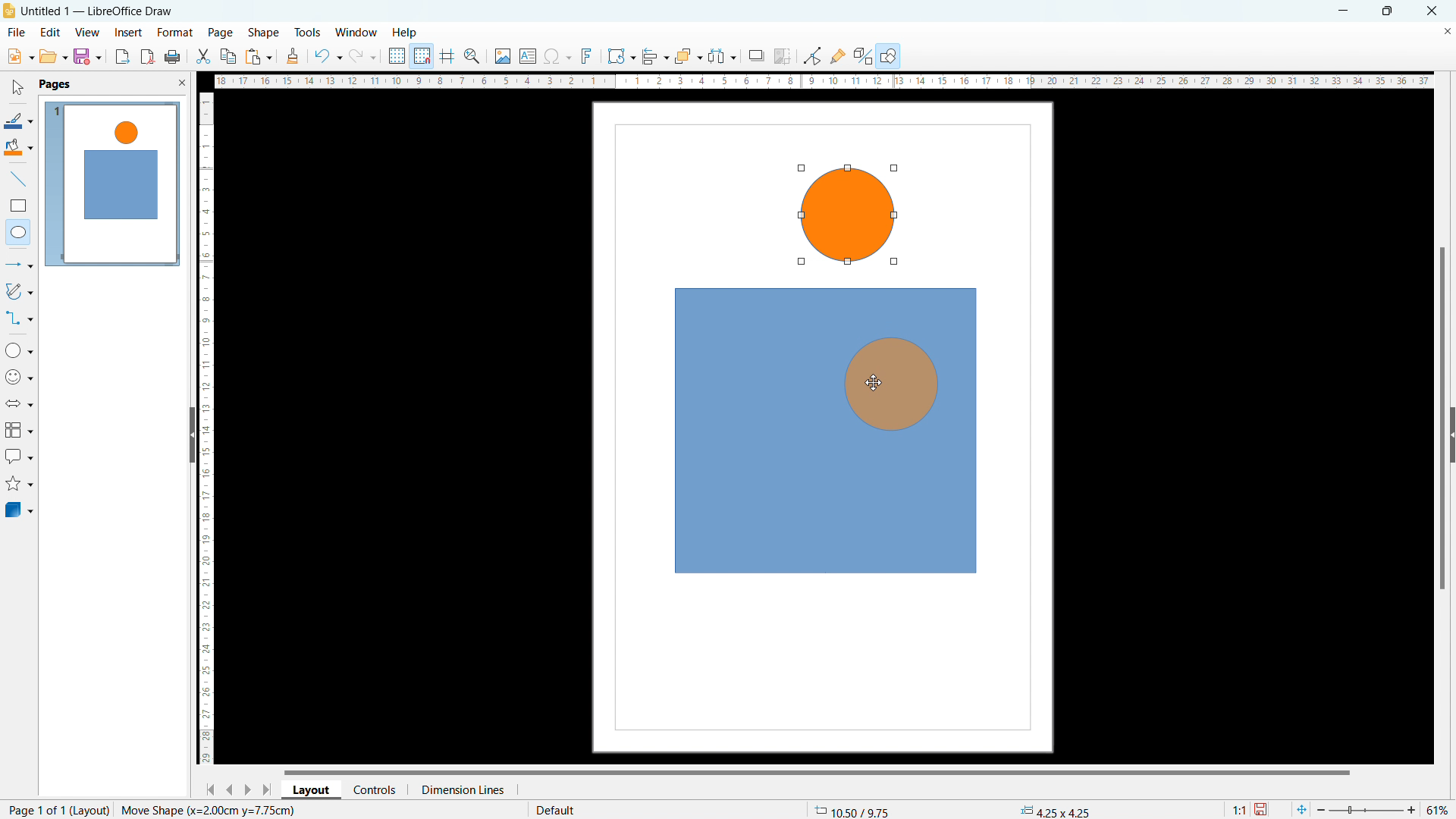 The height and width of the screenshot is (819, 1456). What do you see at coordinates (19, 290) in the screenshot?
I see `curves and polygonas` at bounding box center [19, 290].